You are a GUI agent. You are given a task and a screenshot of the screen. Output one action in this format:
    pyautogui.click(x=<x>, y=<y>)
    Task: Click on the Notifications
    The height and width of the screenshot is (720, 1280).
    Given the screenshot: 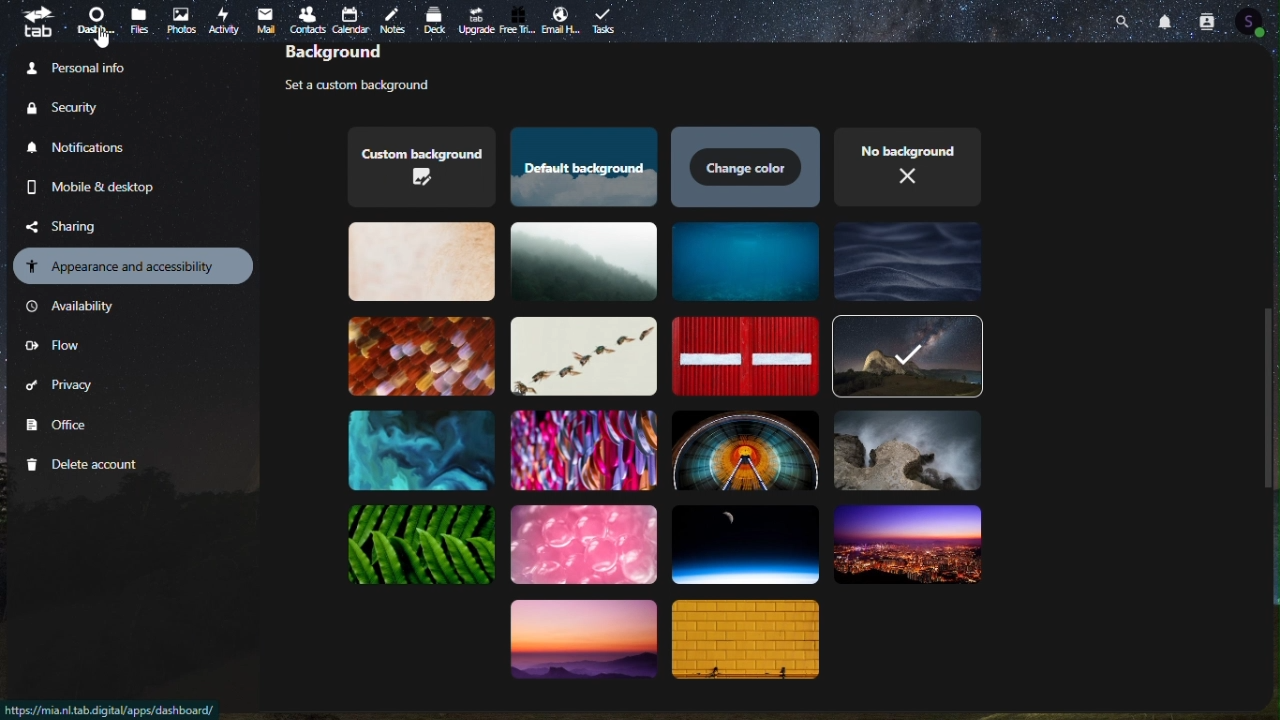 What is the action you would take?
    pyautogui.click(x=83, y=148)
    